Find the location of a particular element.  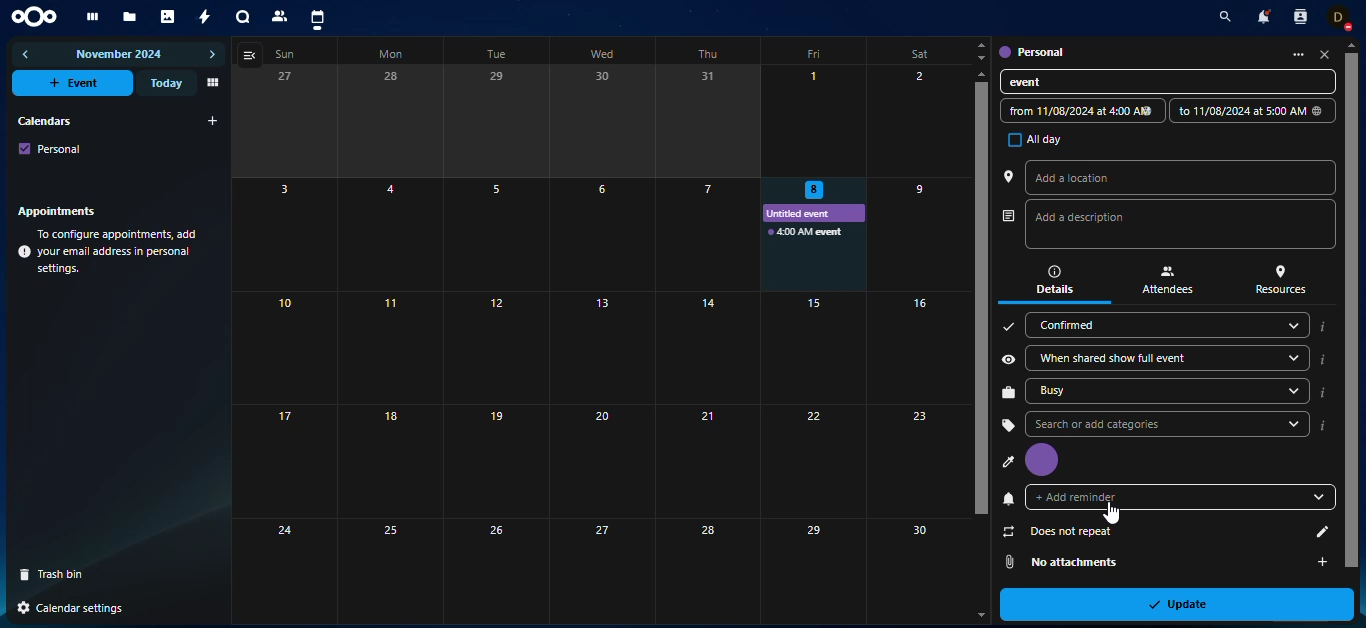

work is located at coordinates (1008, 393).